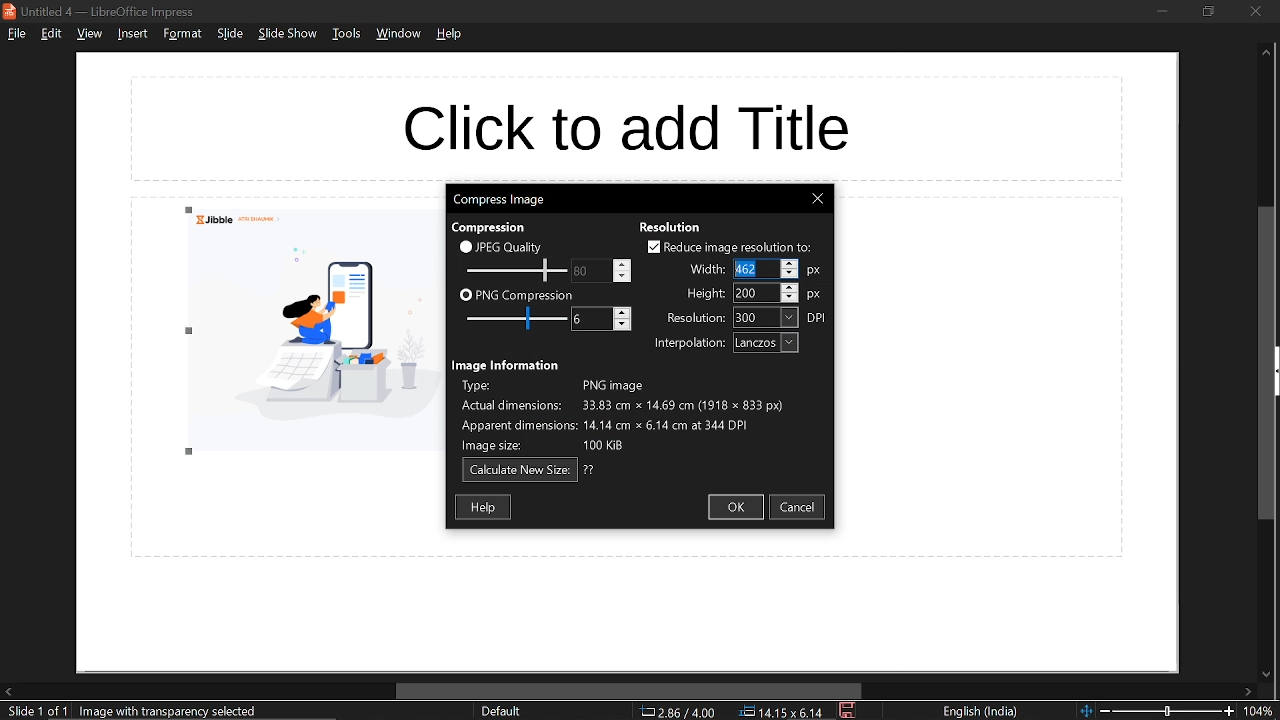 This screenshot has width=1280, height=720. Describe the element at coordinates (230, 34) in the screenshot. I see `slide` at that location.